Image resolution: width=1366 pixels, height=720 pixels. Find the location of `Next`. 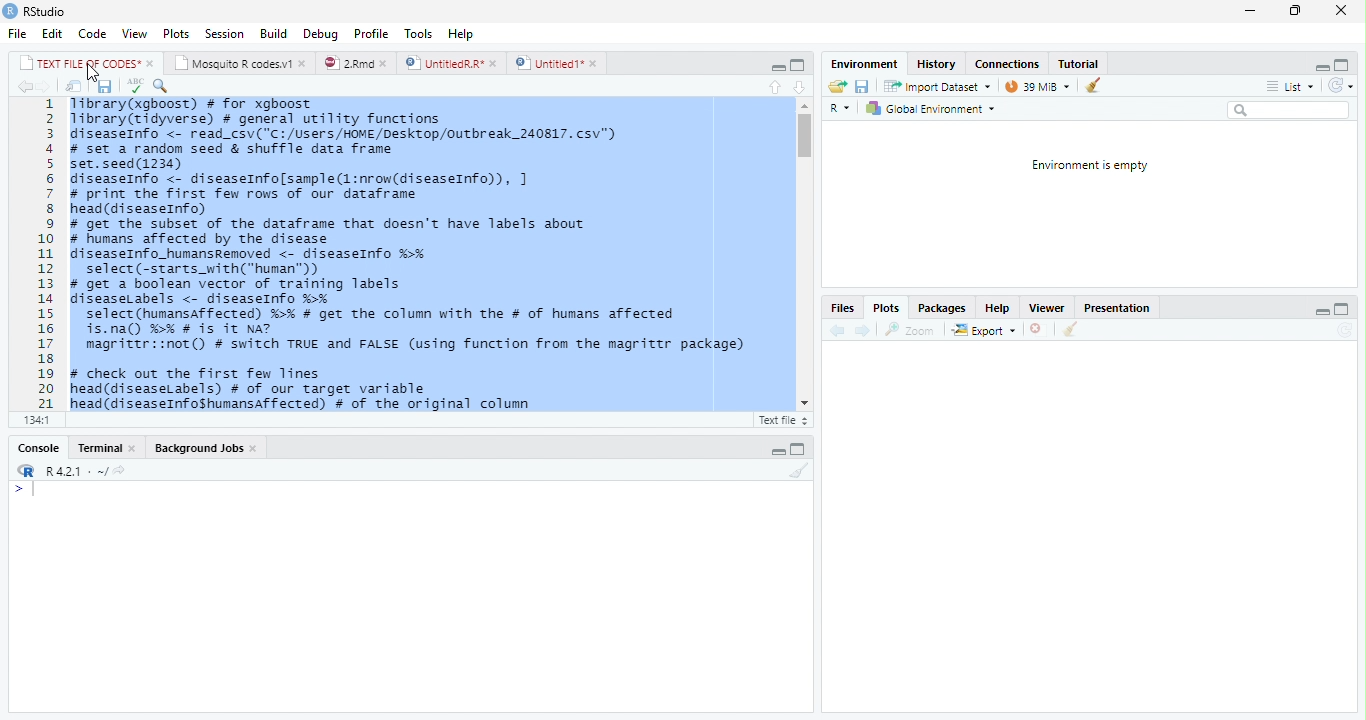

Next is located at coordinates (862, 331).